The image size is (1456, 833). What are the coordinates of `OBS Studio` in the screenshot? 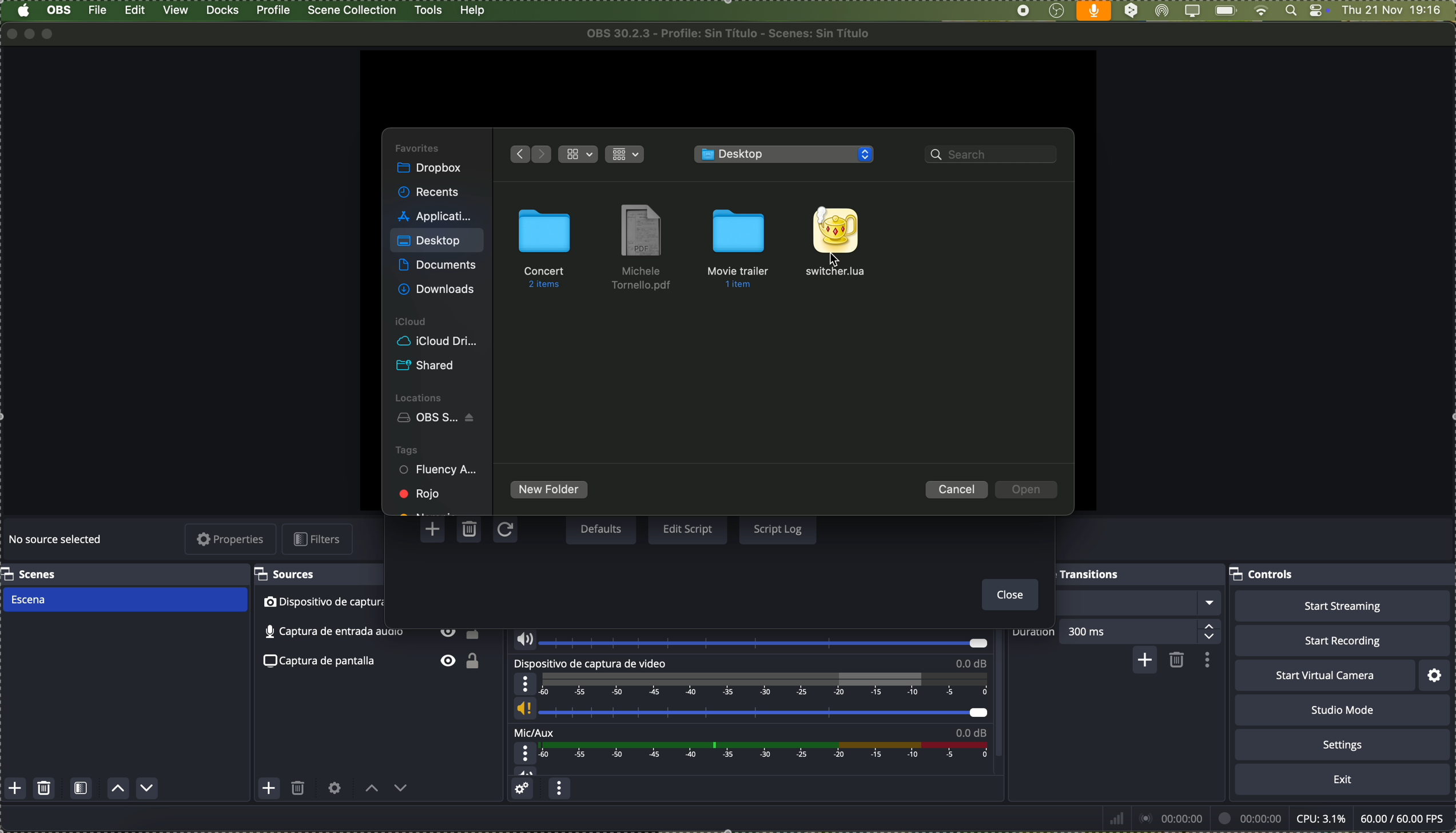 It's located at (439, 419).